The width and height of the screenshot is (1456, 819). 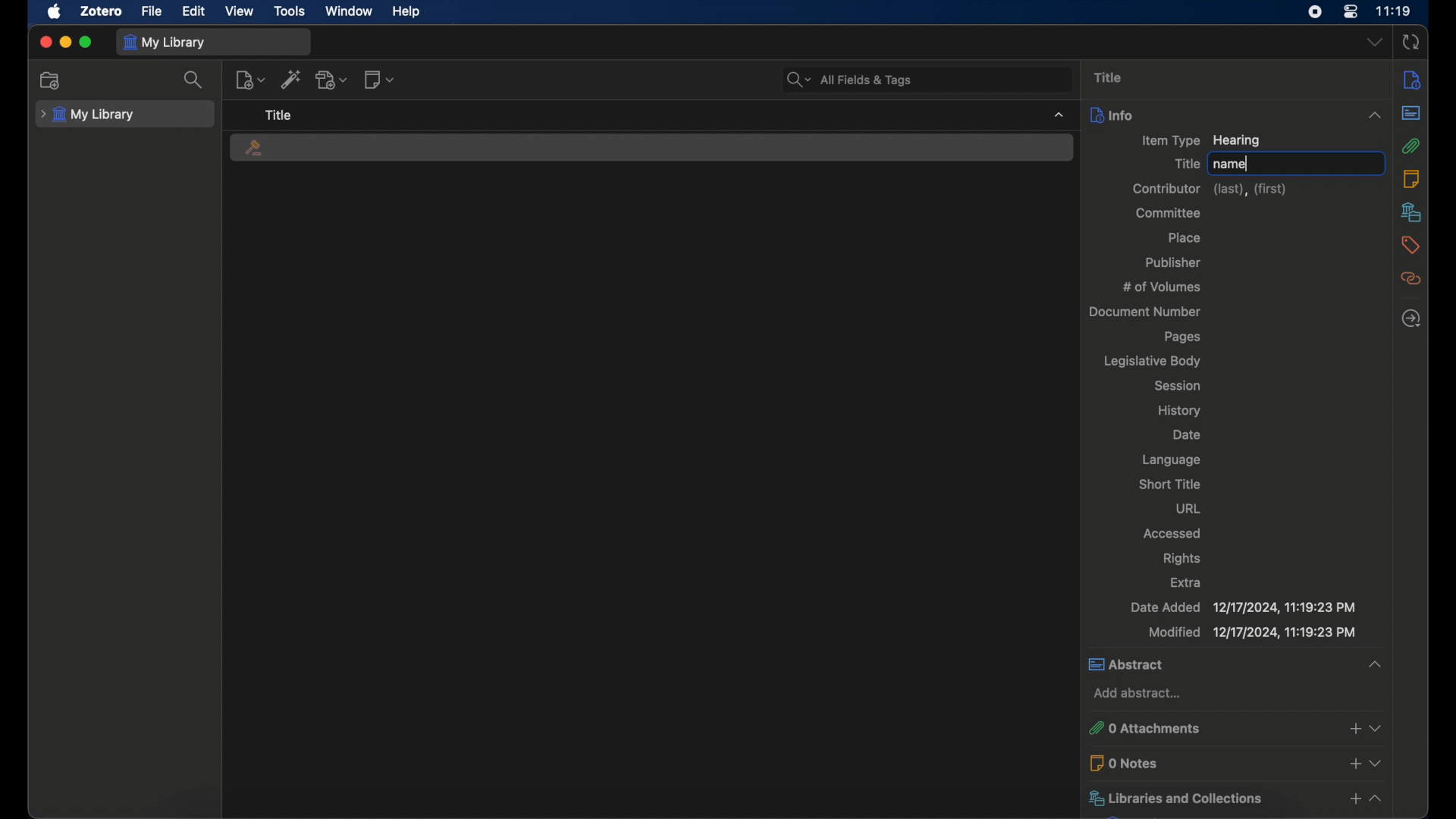 I want to click on edit, so click(x=193, y=12).